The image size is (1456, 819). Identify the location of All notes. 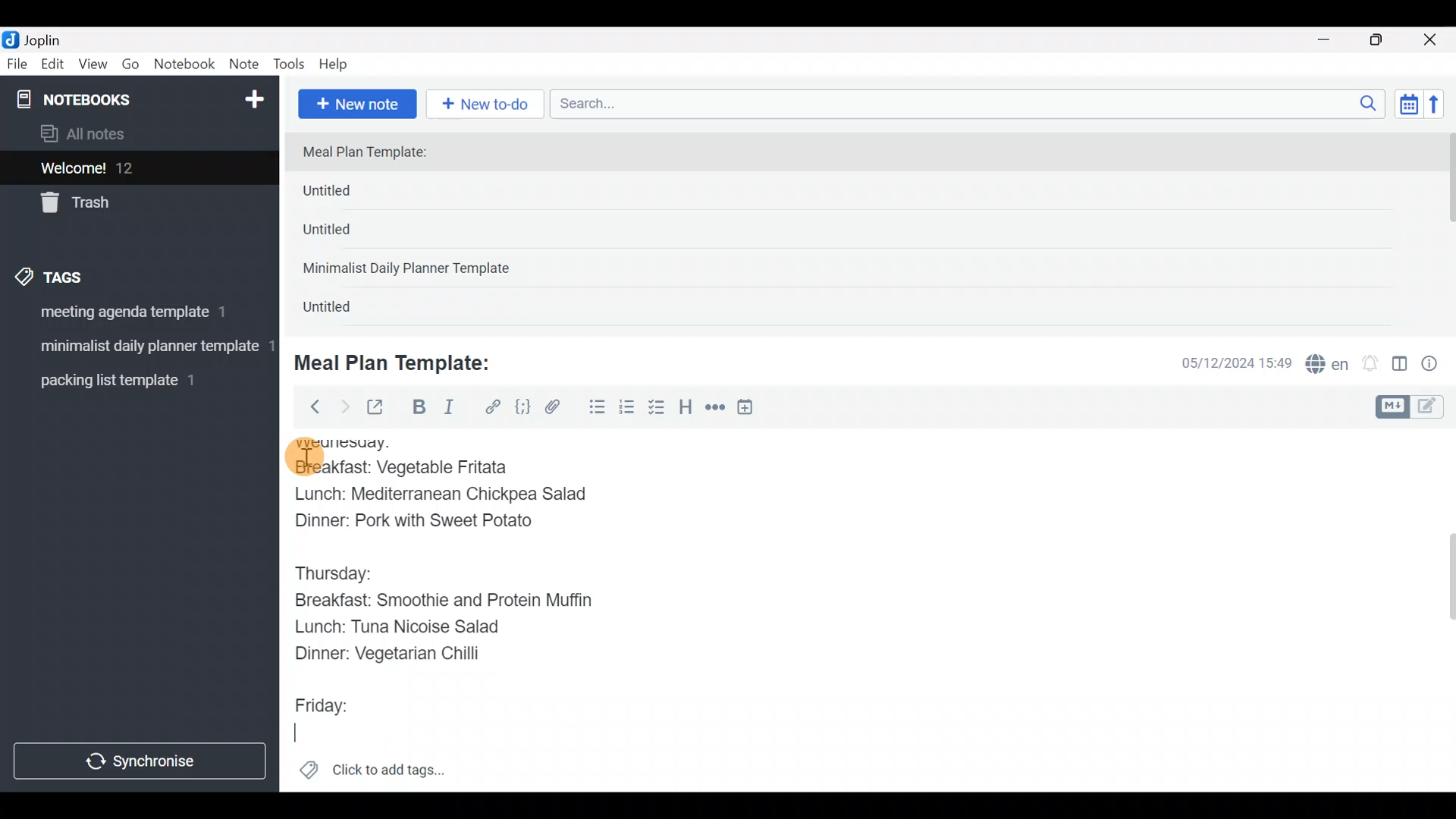
(136, 135).